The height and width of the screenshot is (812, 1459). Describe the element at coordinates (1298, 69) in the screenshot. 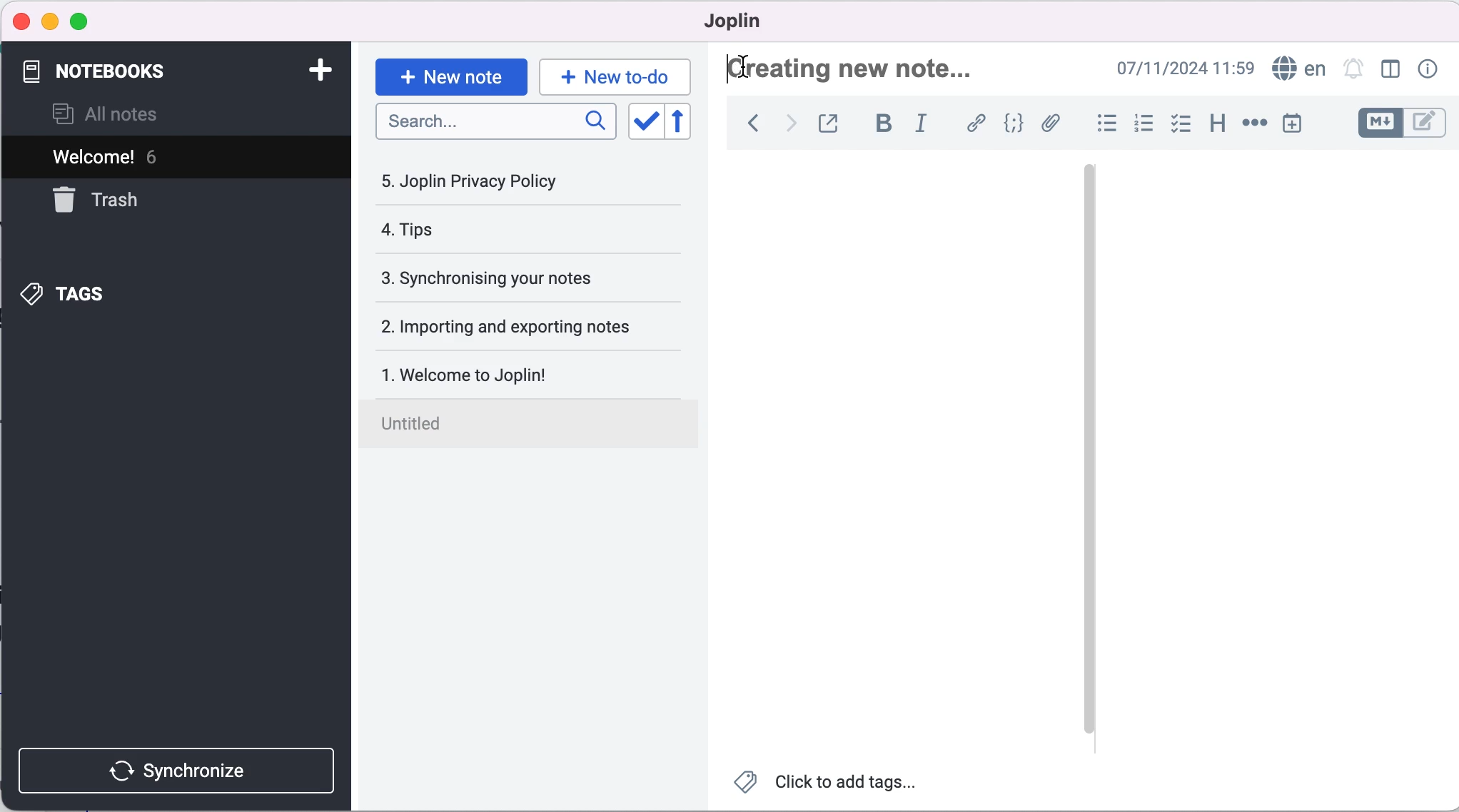

I see `language` at that location.